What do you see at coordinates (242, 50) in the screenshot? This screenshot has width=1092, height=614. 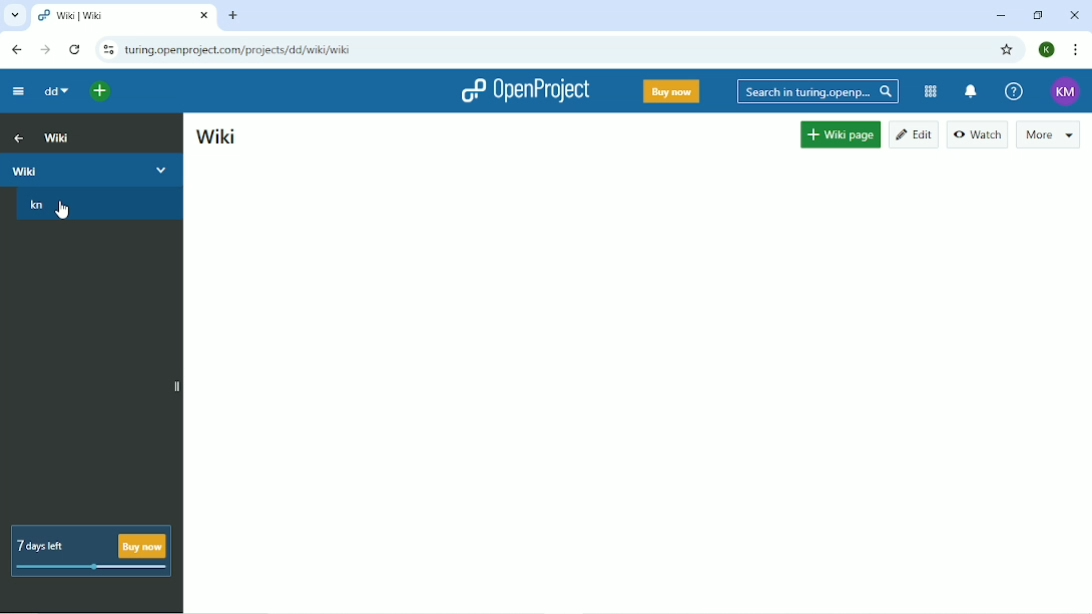 I see `Site` at bounding box center [242, 50].